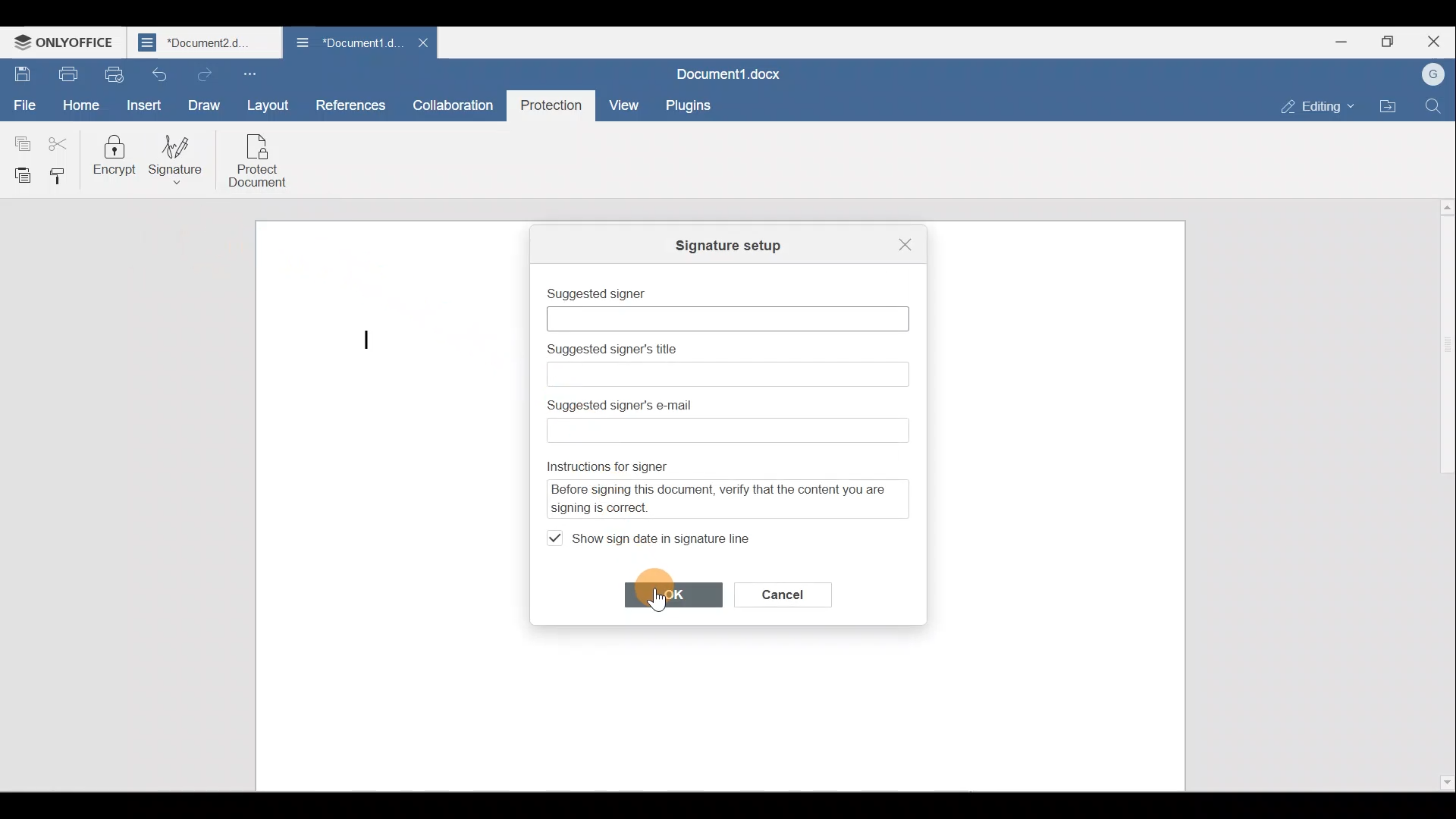  What do you see at coordinates (1336, 40) in the screenshot?
I see `Minimize` at bounding box center [1336, 40].